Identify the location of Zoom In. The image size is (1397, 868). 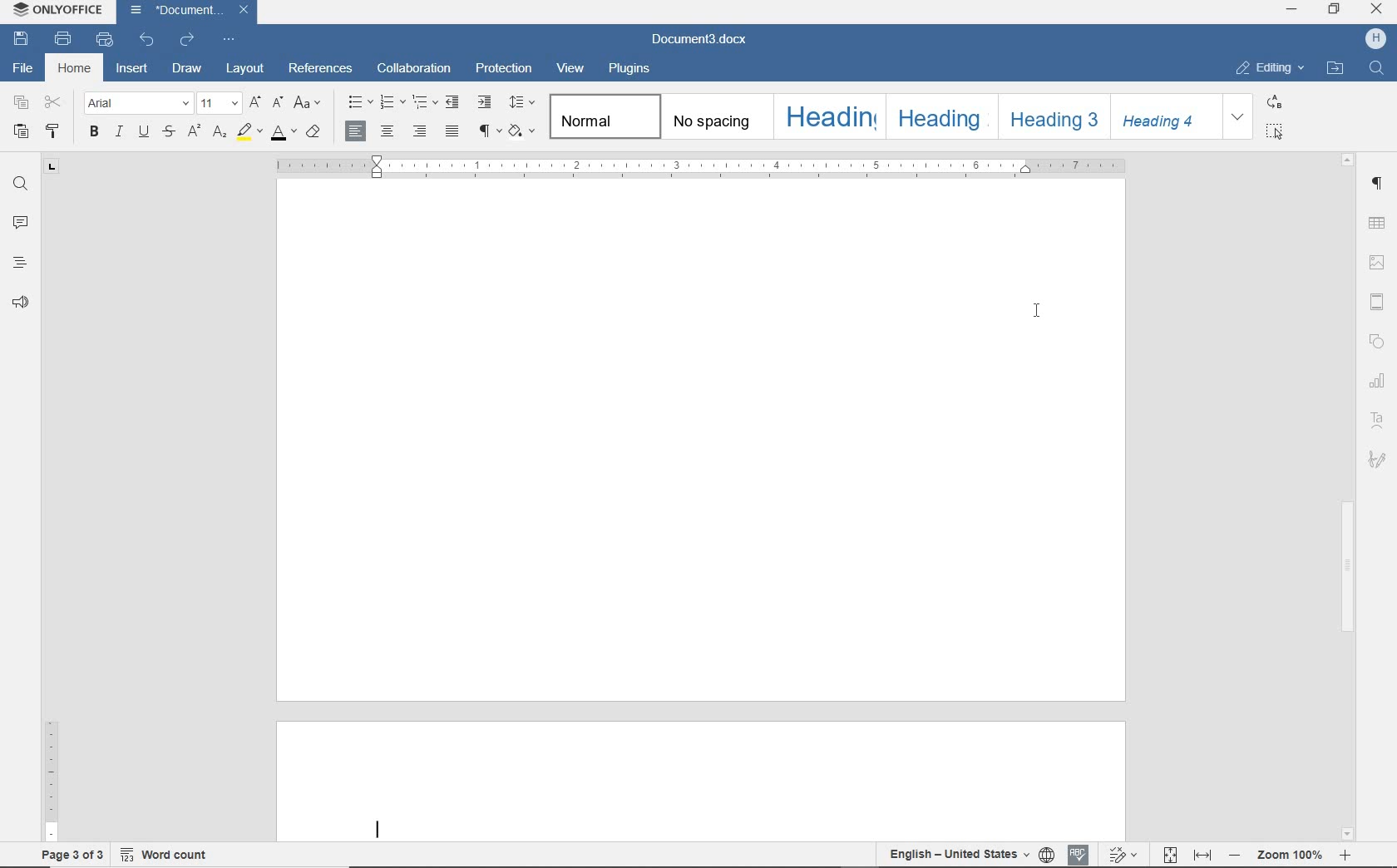
(1343, 858).